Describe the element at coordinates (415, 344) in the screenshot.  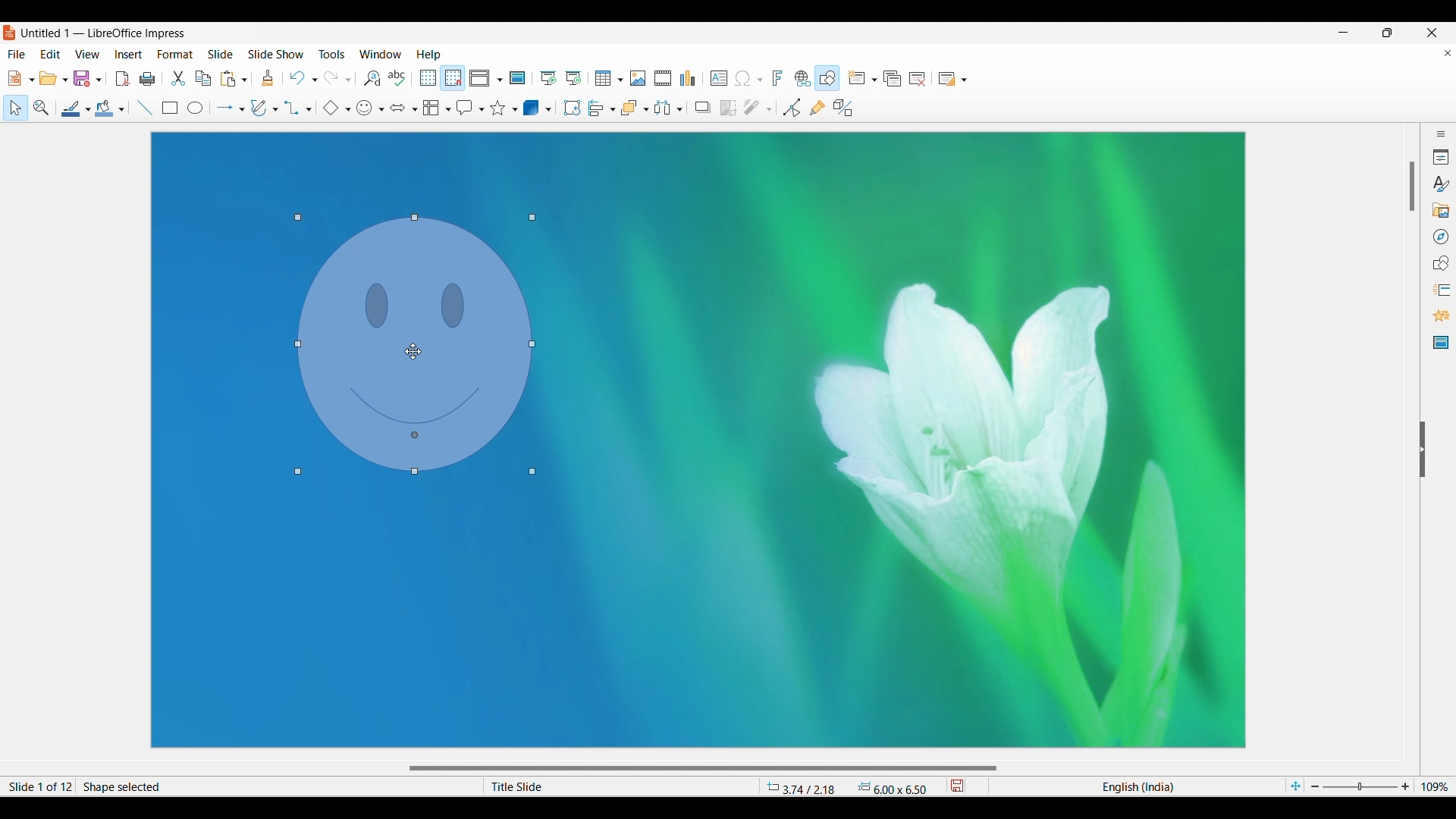
I see `Object position changed` at that location.